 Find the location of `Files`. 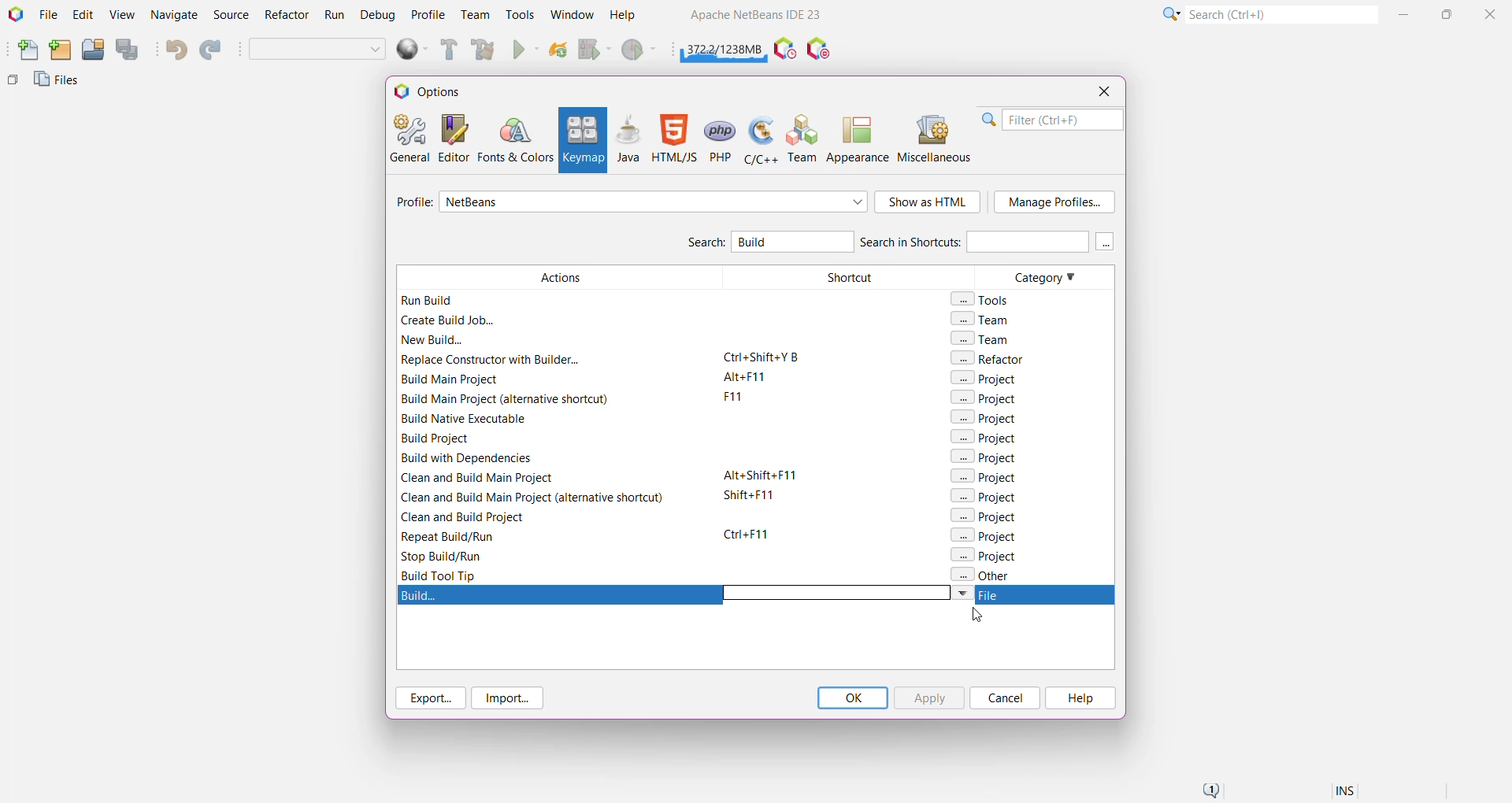

Files is located at coordinates (59, 83).